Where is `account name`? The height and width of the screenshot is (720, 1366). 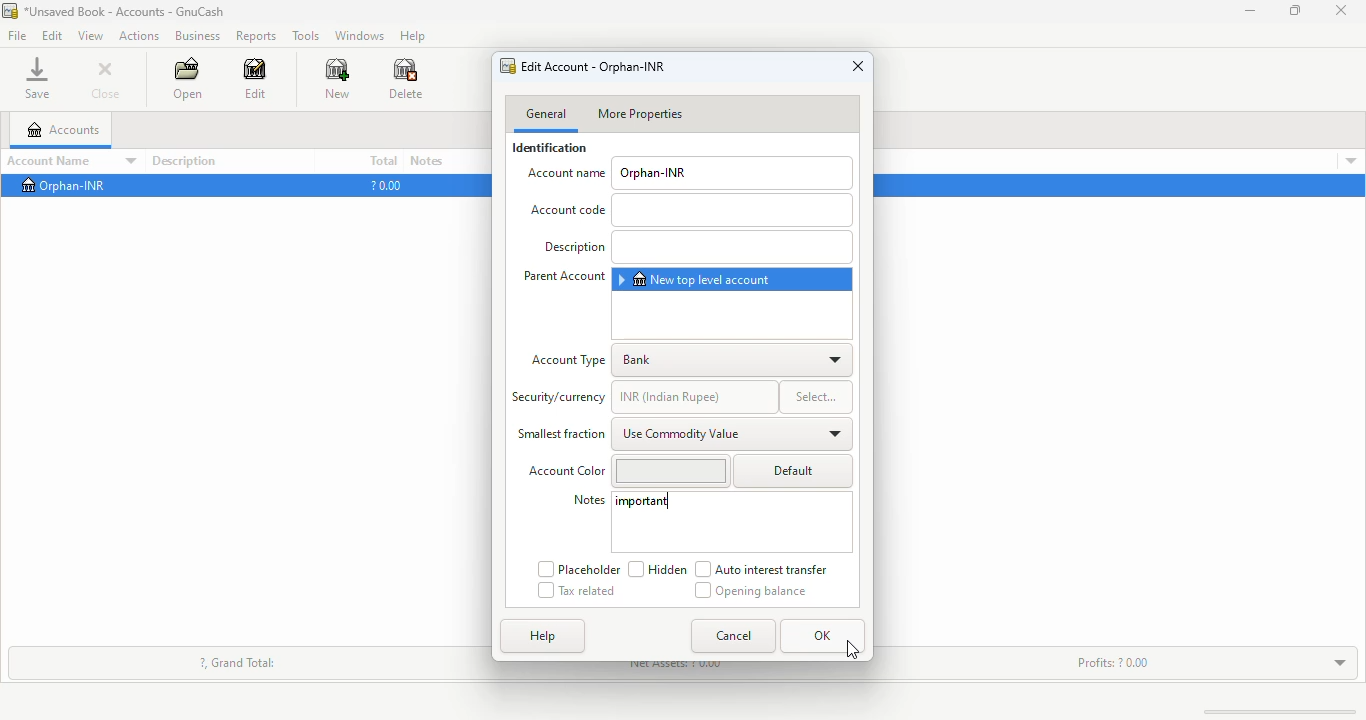
account name is located at coordinates (73, 161).